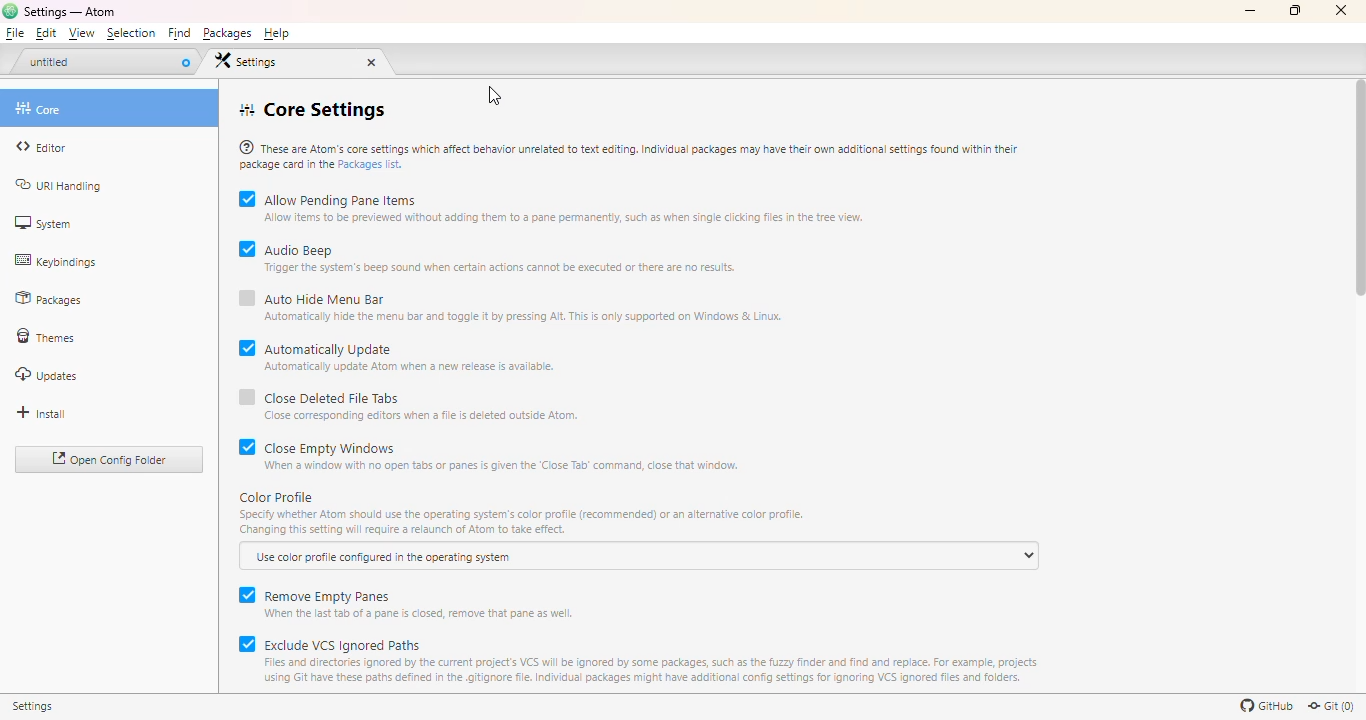 Image resolution: width=1366 pixels, height=720 pixels. What do you see at coordinates (246, 305) in the screenshot?
I see `checkbox` at bounding box center [246, 305].